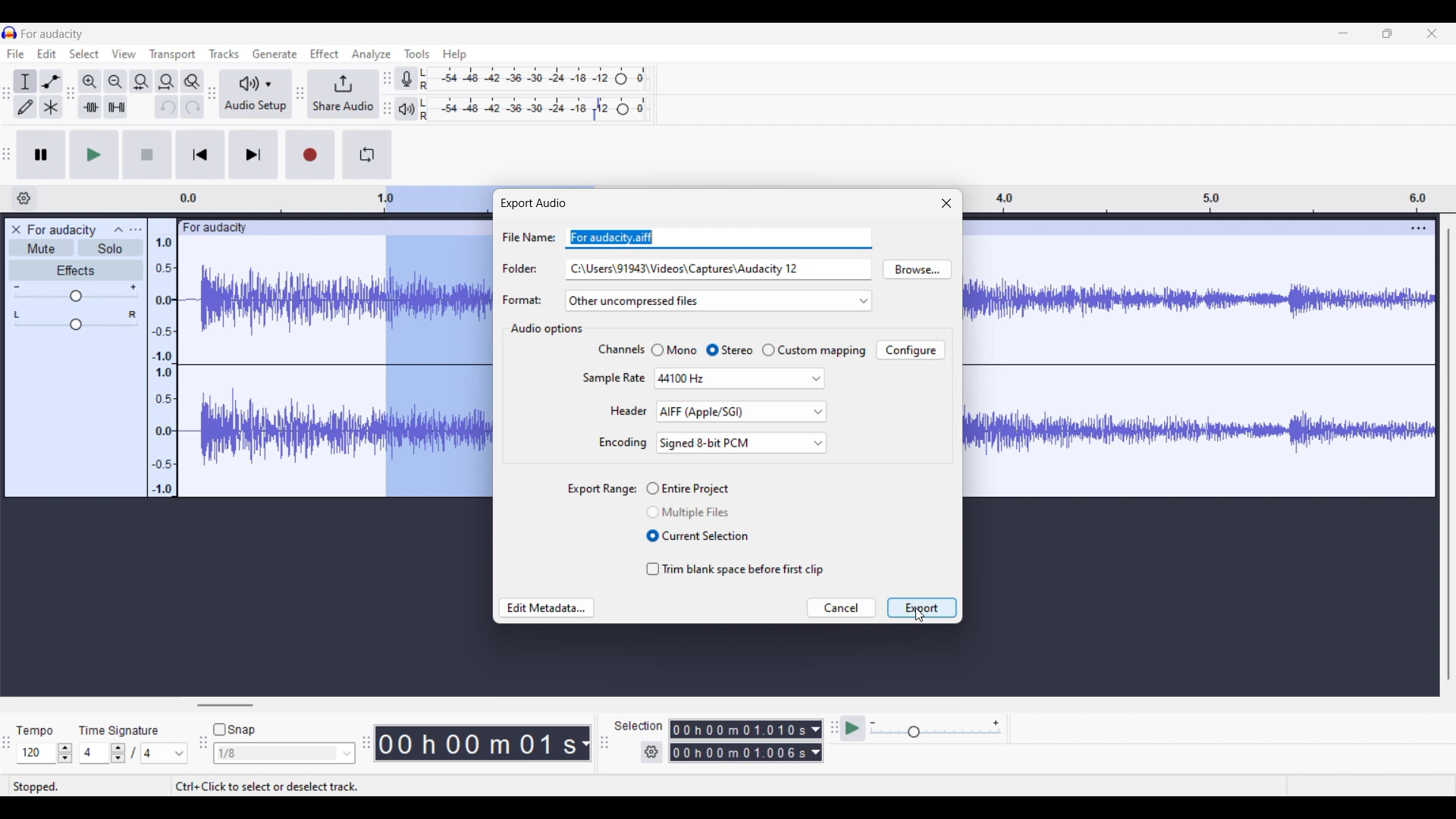  Describe the element at coordinates (729, 350) in the screenshot. I see `Toggle for stereo` at that location.